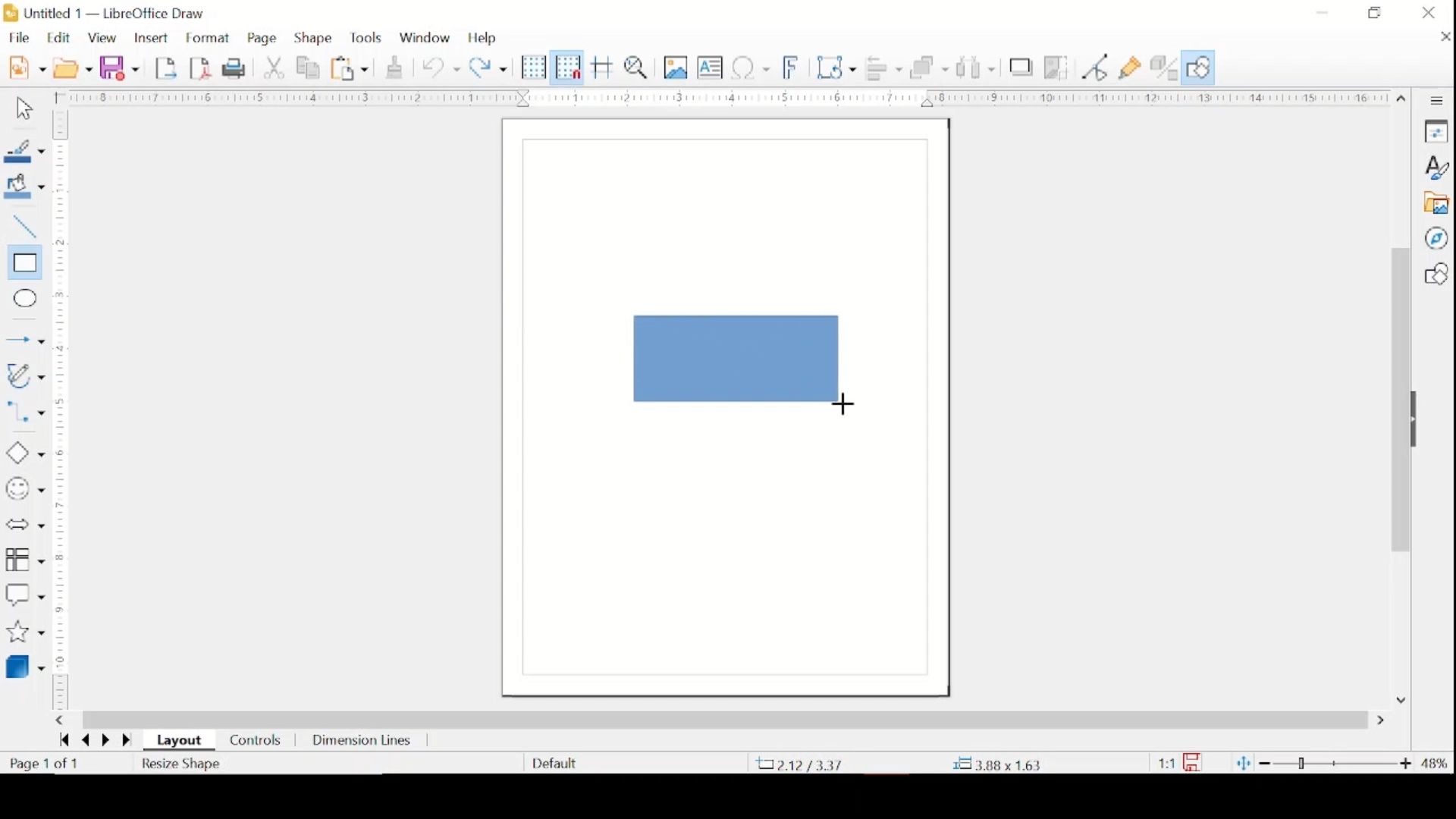 The image size is (1456, 819). I want to click on navigator, so click(1436, 238).